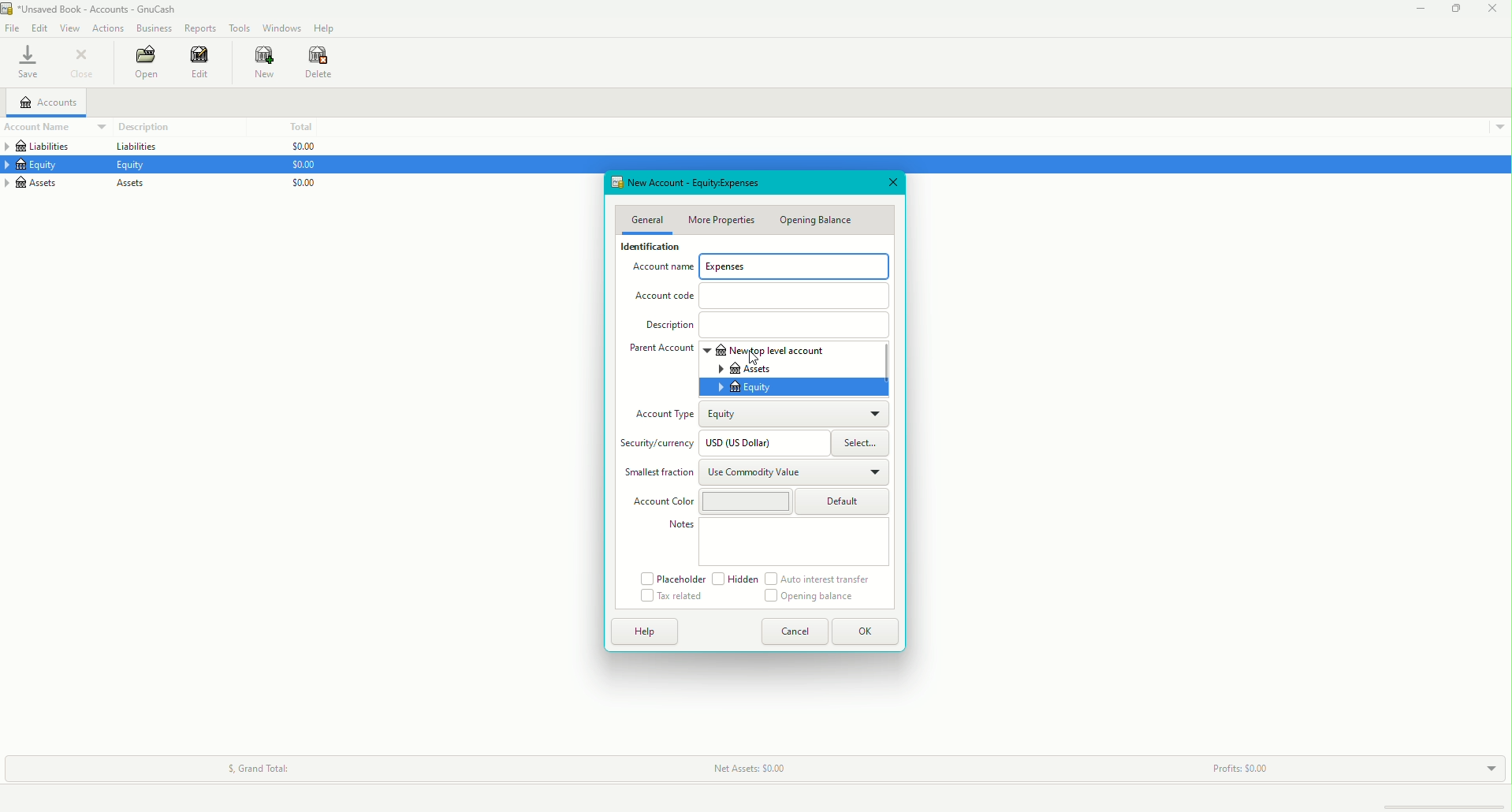 The height and width of the screenshot is (812, 1512). I want to click on Cursor, so click(754, 359).